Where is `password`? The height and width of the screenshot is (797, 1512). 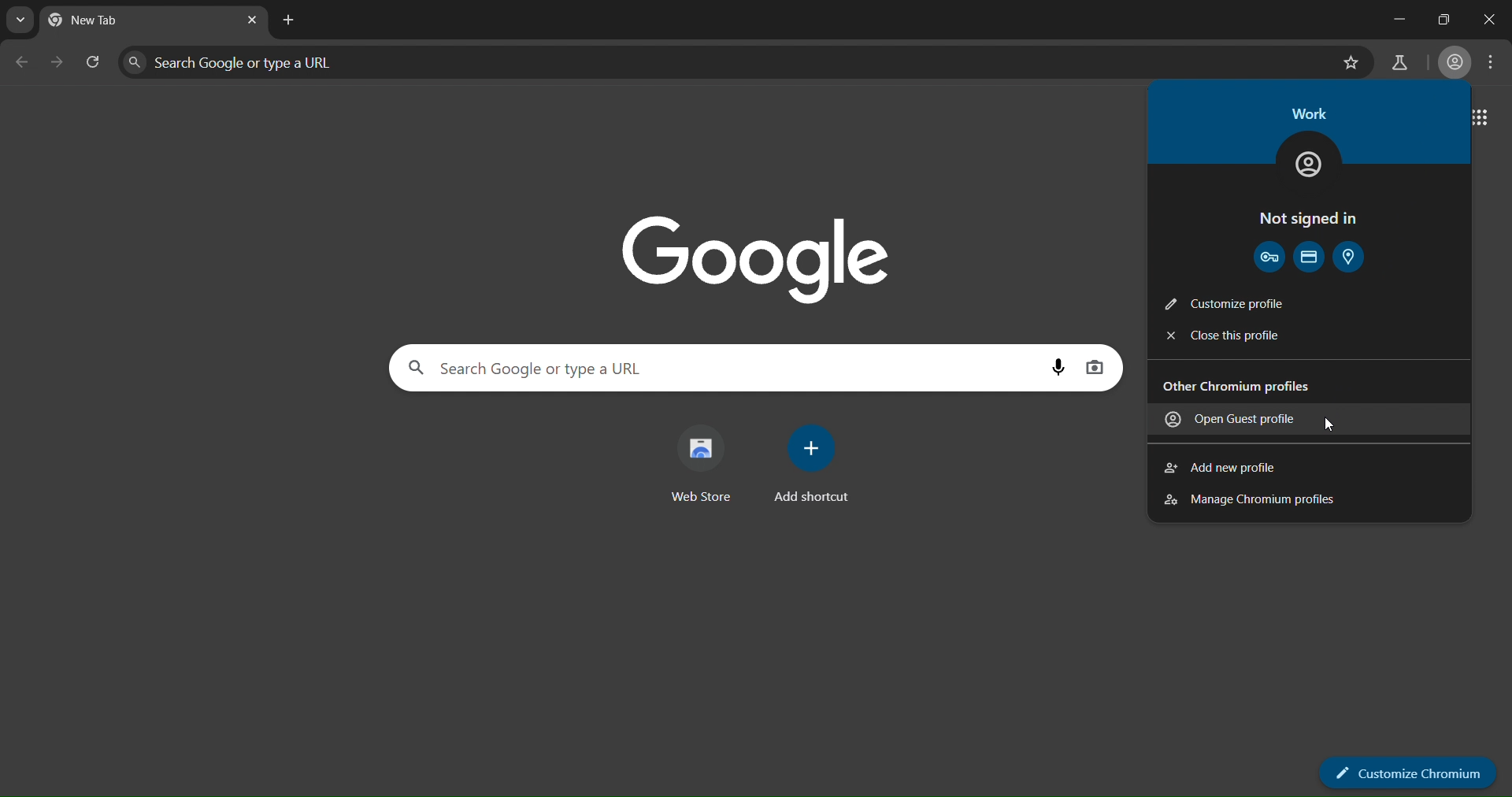 password is located at coordinates (1270, 257).